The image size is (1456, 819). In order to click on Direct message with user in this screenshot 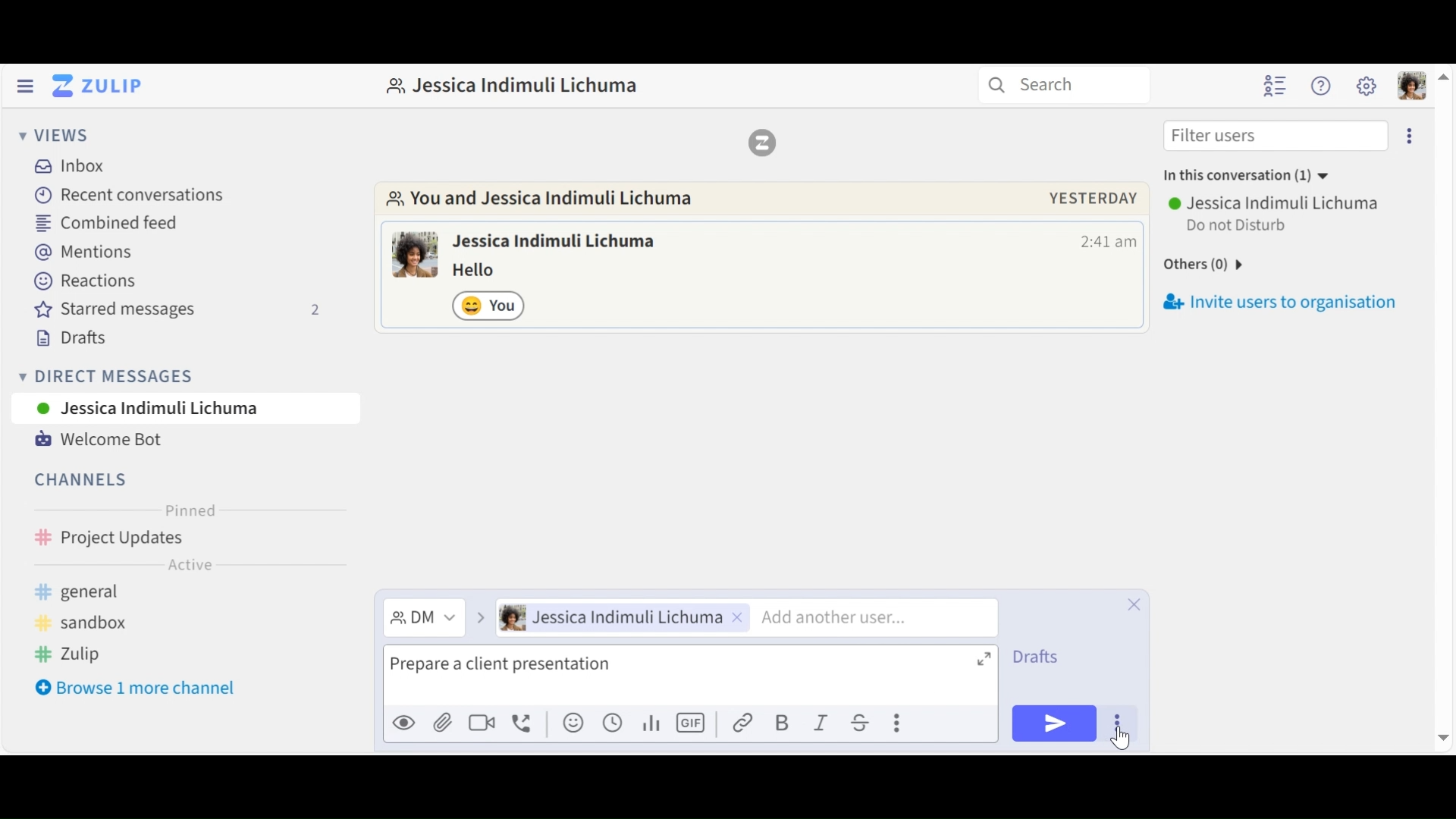, I will do `click(521, 86)`.